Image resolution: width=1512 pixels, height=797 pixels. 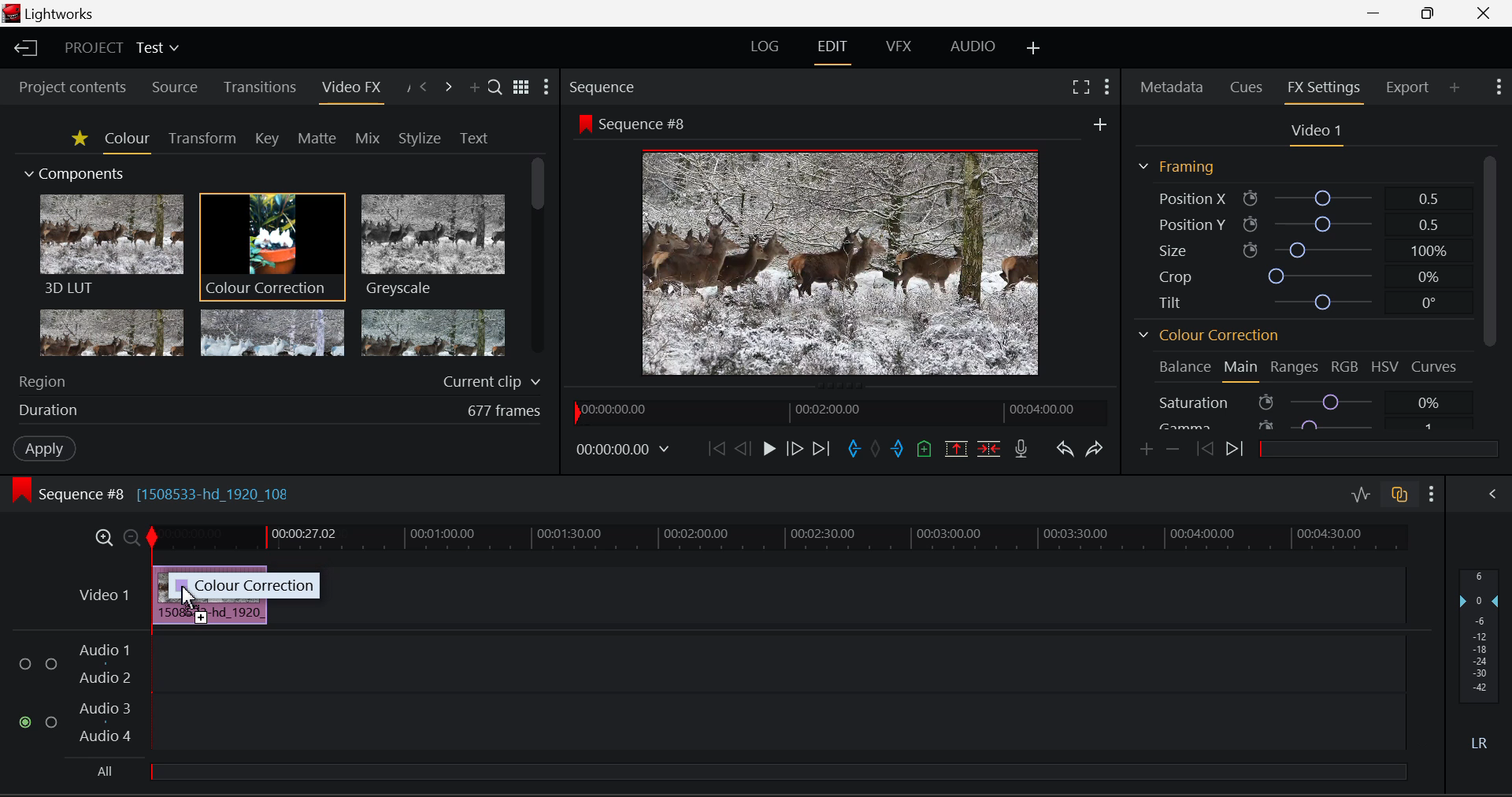 I want to click on Source, so click(x=176, y=87).